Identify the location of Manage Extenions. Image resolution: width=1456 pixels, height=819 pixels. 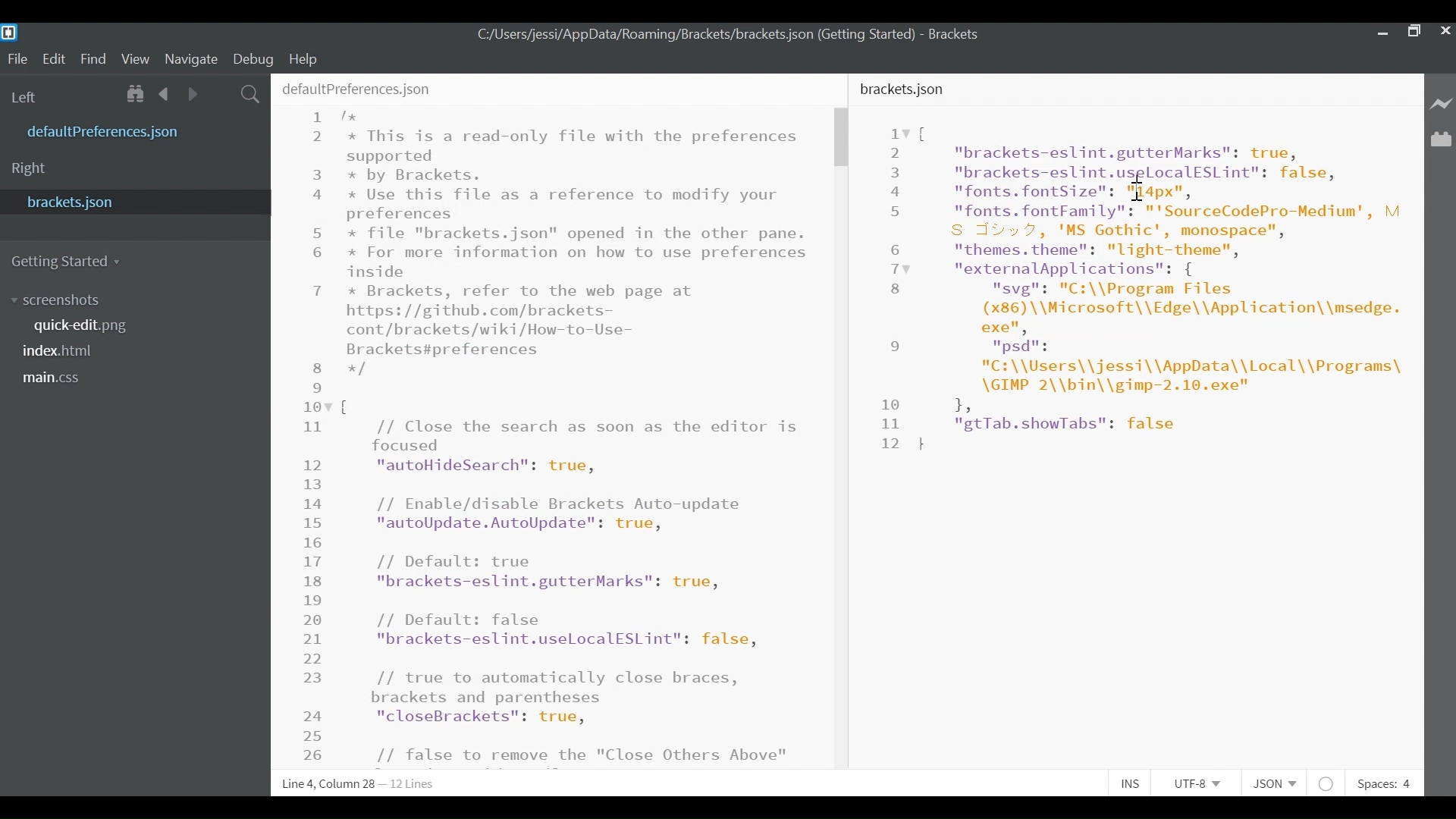
(1442, 140).